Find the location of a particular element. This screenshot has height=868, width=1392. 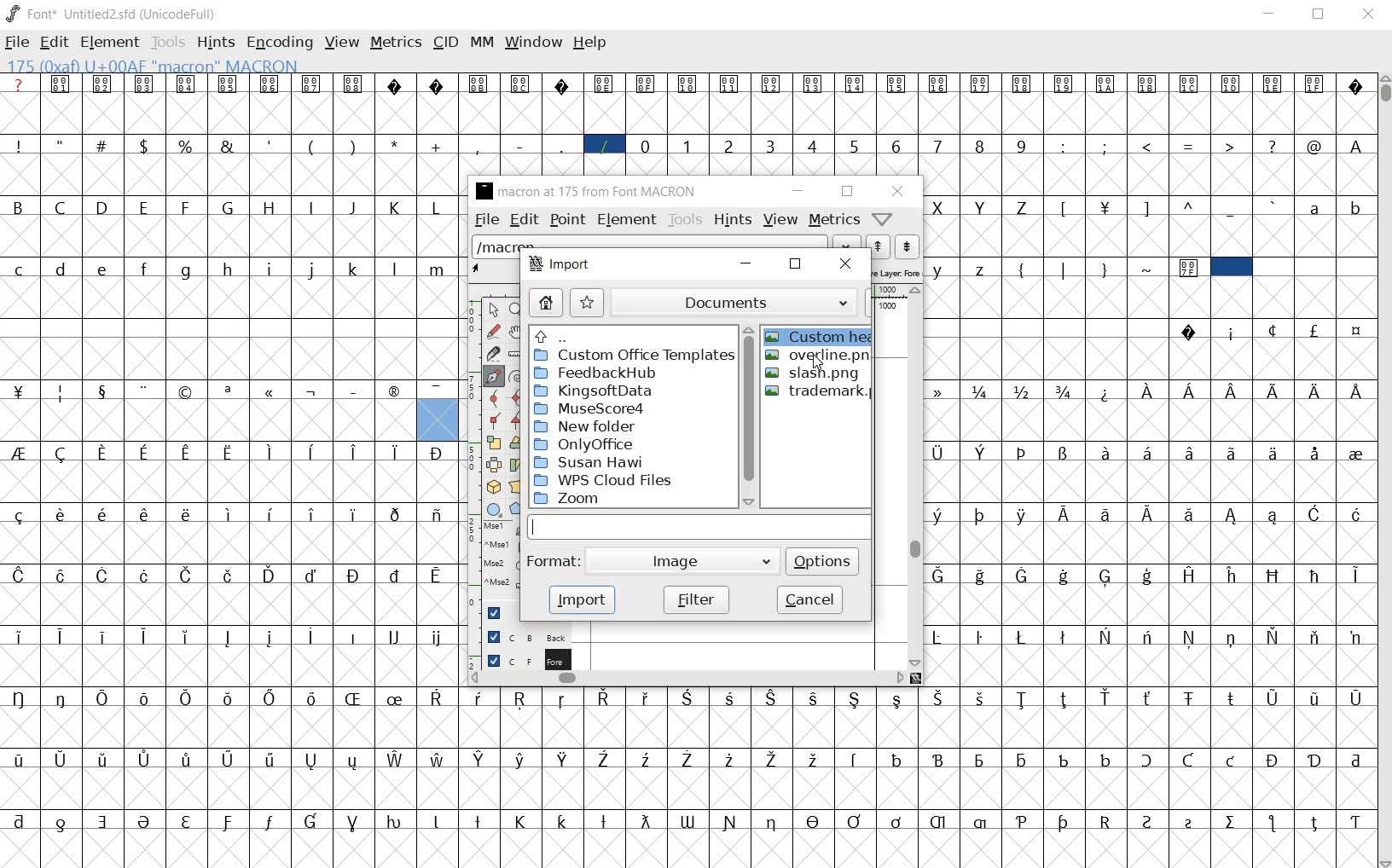

Symbol is located at coordinates (189, 635).